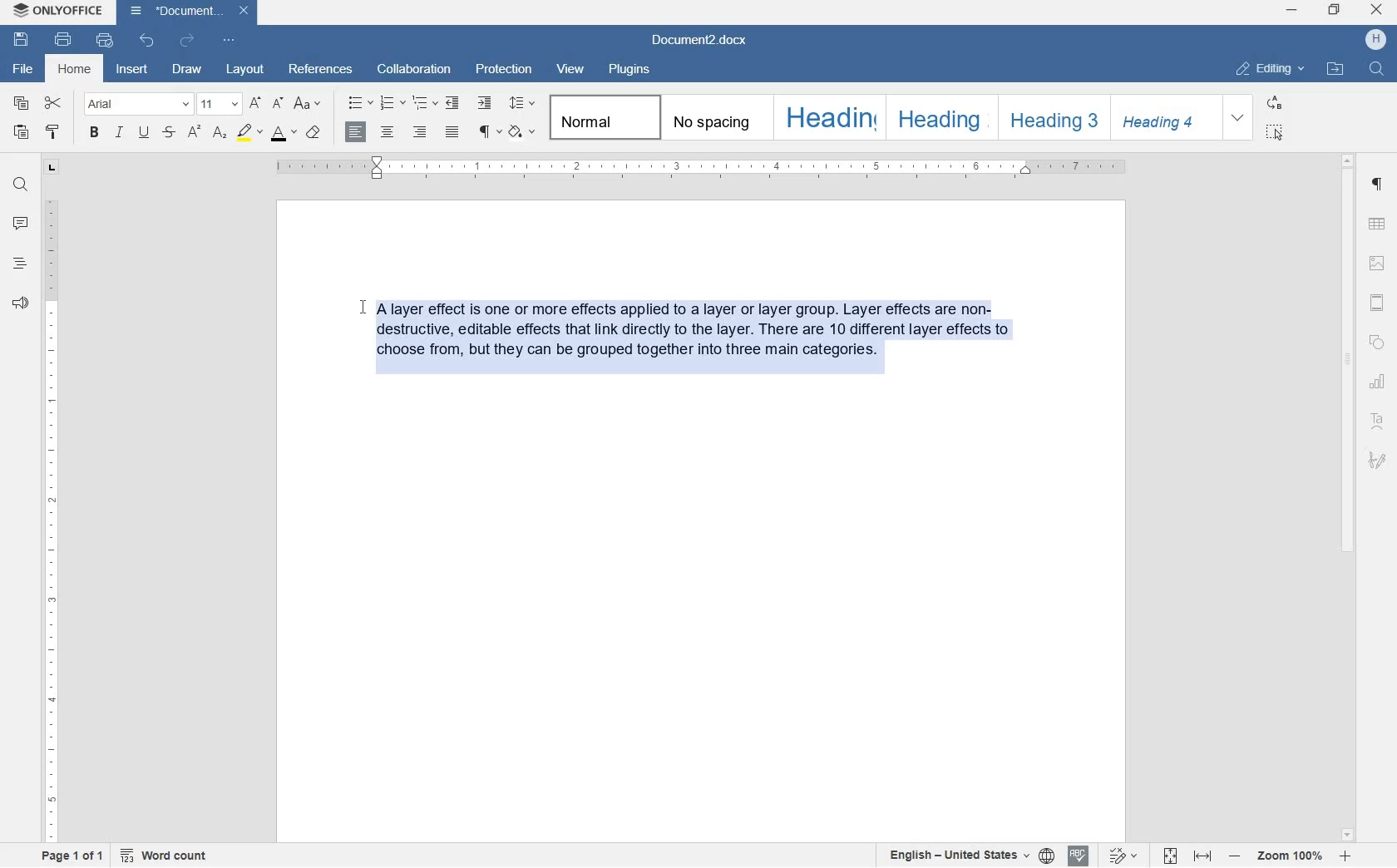  Describe the element at coordinates (1271, 71) in the screenshot. I see `editing` at that location.